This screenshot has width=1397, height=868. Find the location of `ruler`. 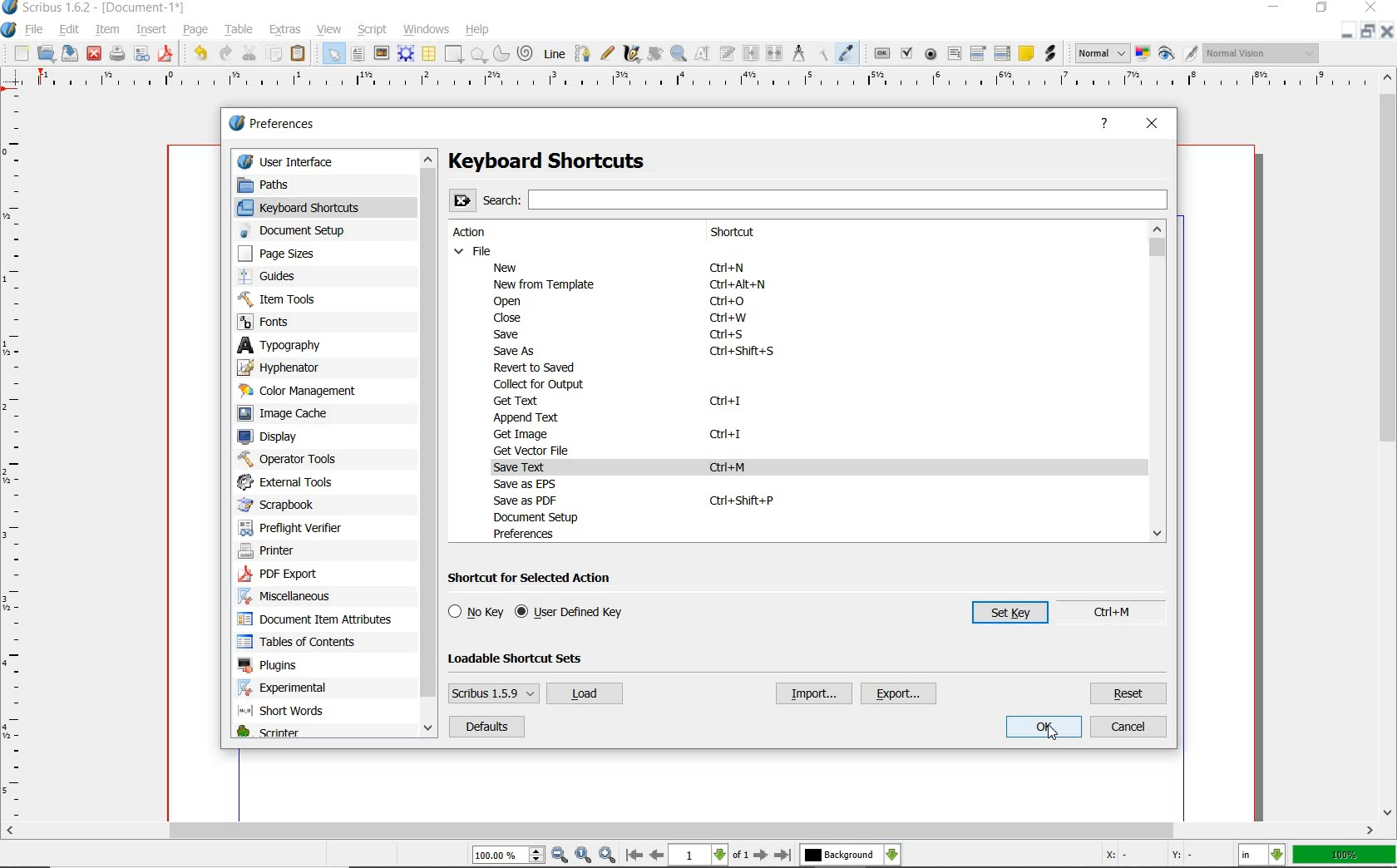

ruler is located at coordinates (699, 84).